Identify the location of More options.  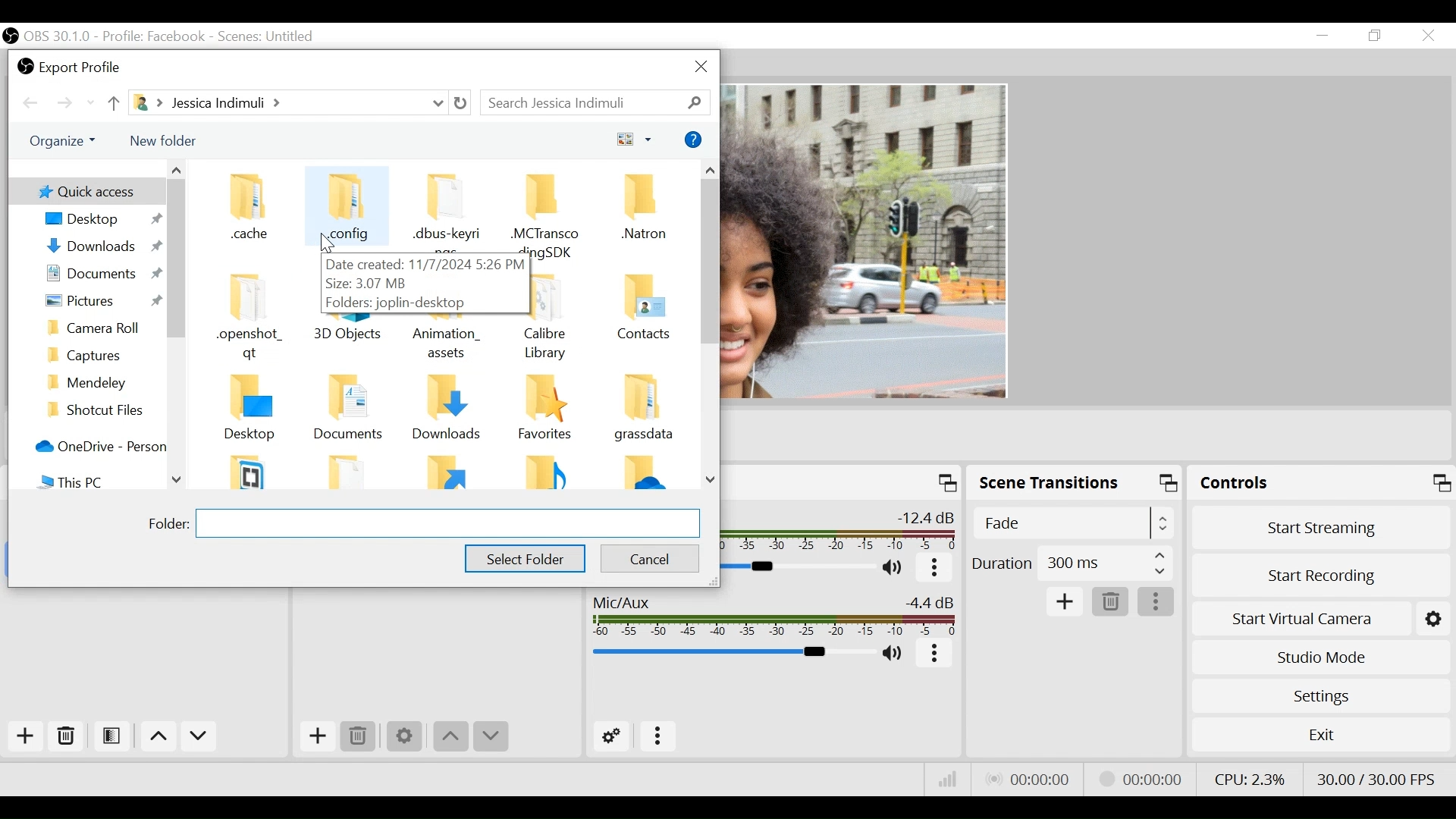
(937, 569).